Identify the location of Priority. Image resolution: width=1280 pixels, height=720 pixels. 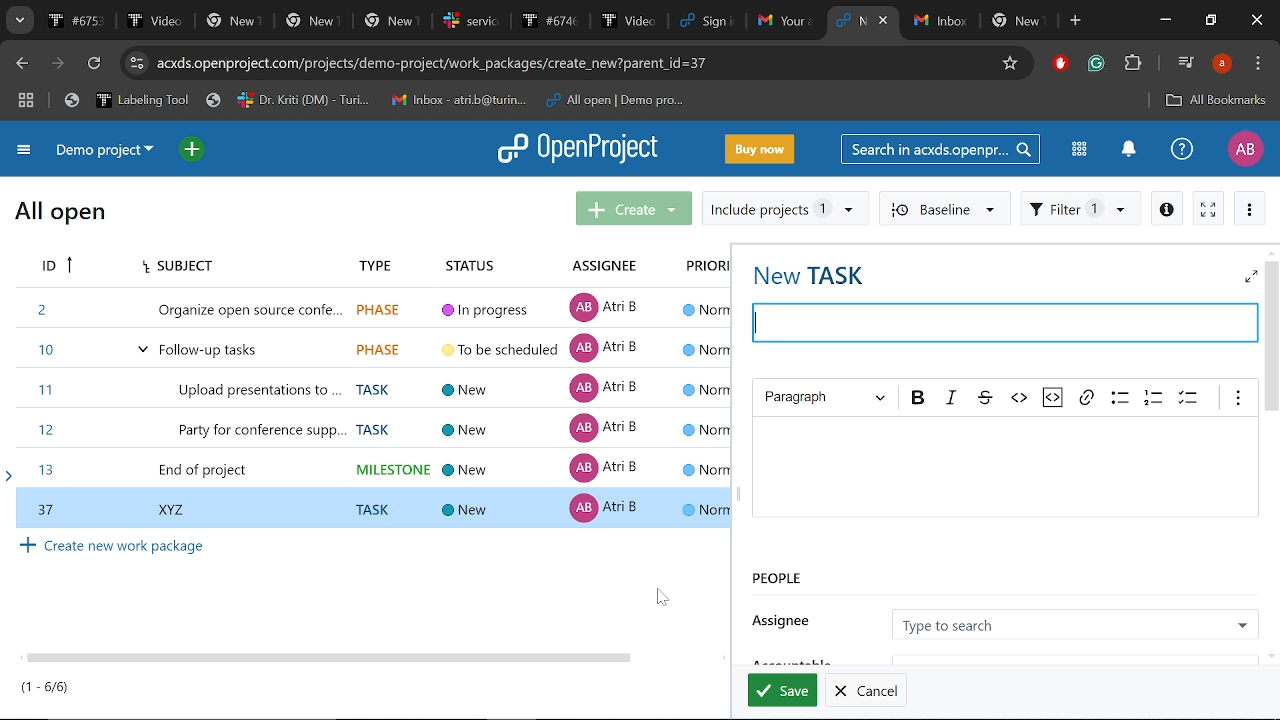
(702, 267).